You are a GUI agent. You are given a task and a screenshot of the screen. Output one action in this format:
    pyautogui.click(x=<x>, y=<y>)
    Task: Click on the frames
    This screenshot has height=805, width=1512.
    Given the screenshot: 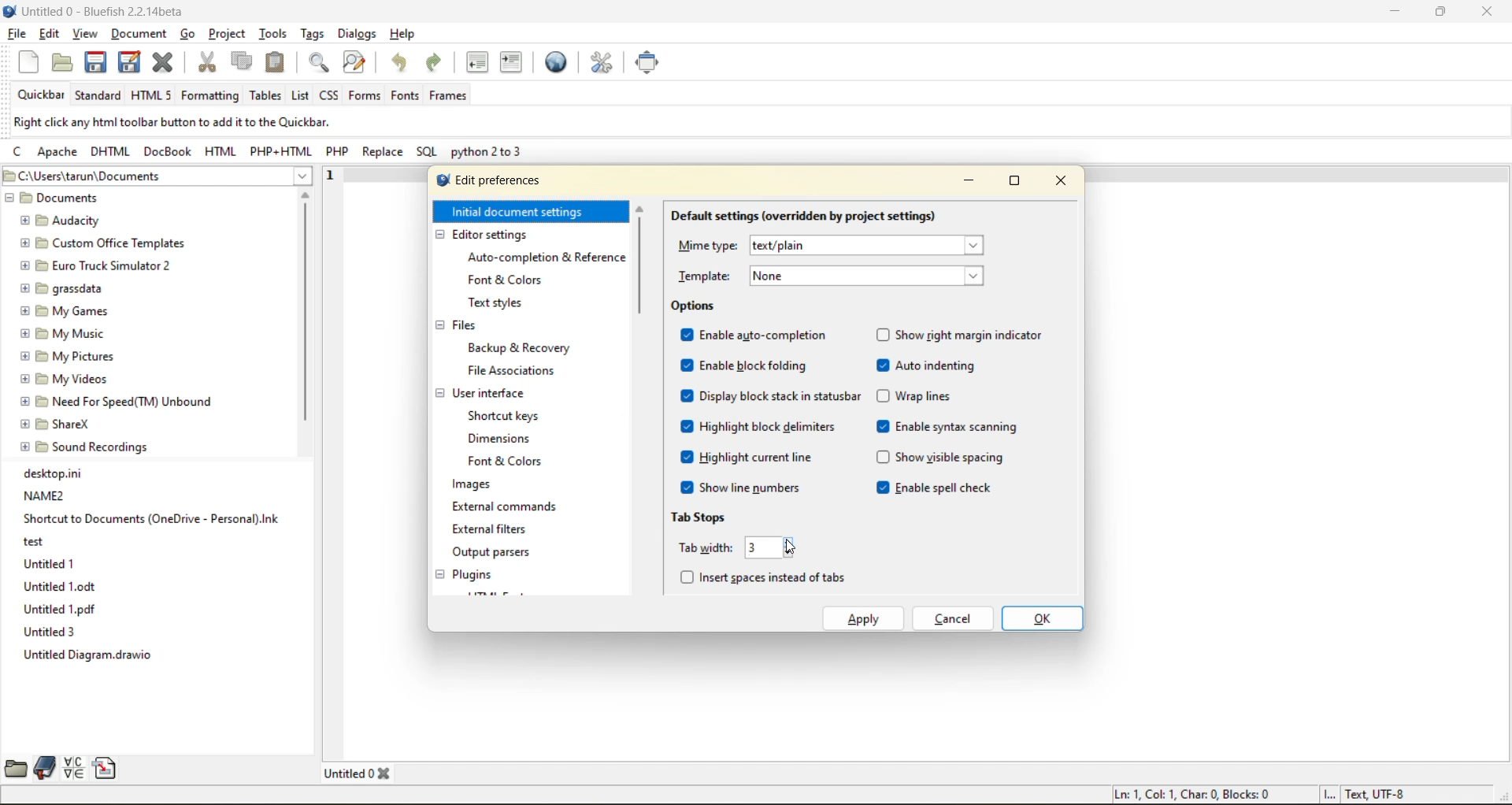 What is the action you would take?
    pyautogui.click(x=449, y=97)
    